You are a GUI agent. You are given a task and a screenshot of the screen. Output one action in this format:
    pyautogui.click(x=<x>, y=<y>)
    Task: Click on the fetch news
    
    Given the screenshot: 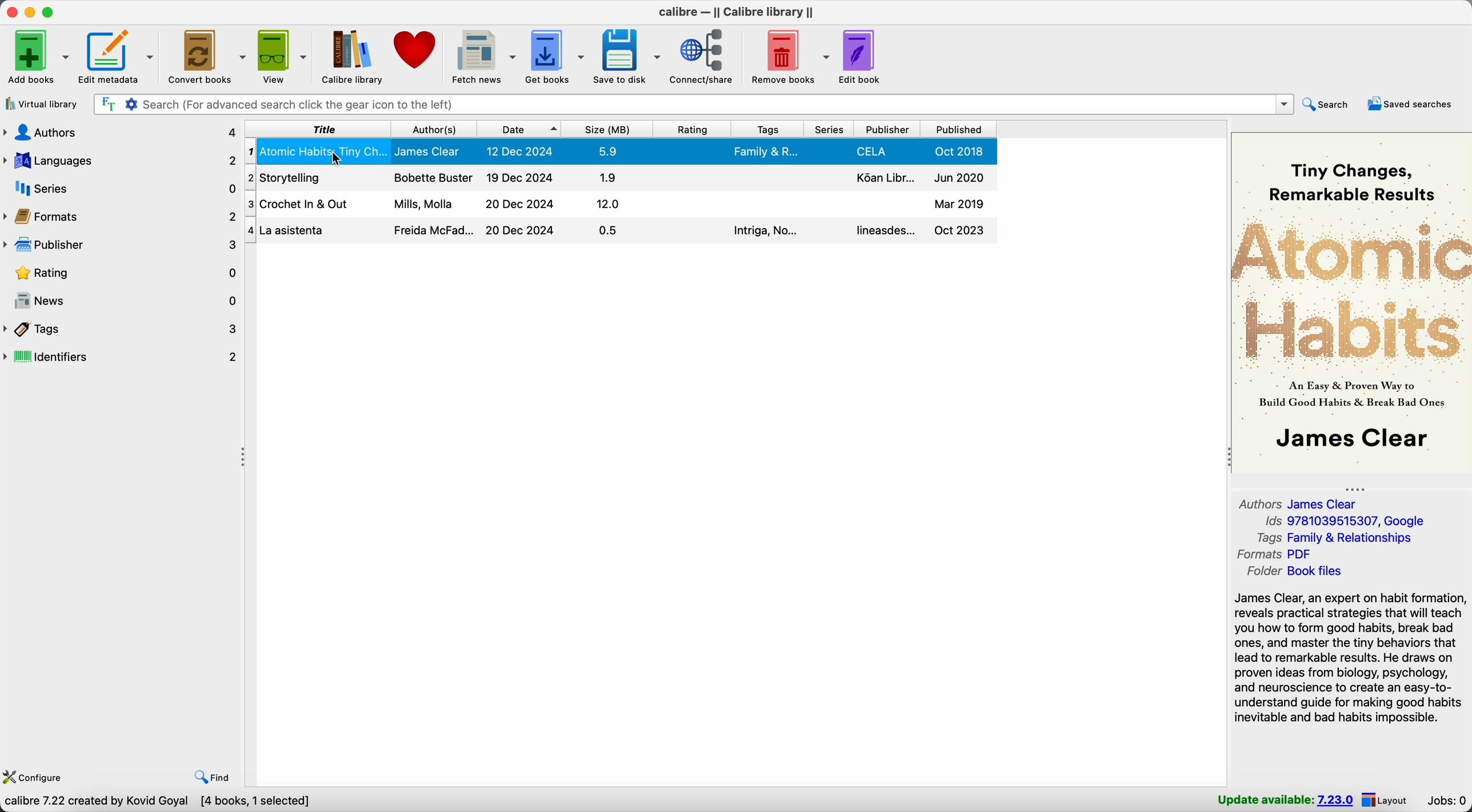 What is the action you would take?
    pyautogui.click(x=485, y=55)
    